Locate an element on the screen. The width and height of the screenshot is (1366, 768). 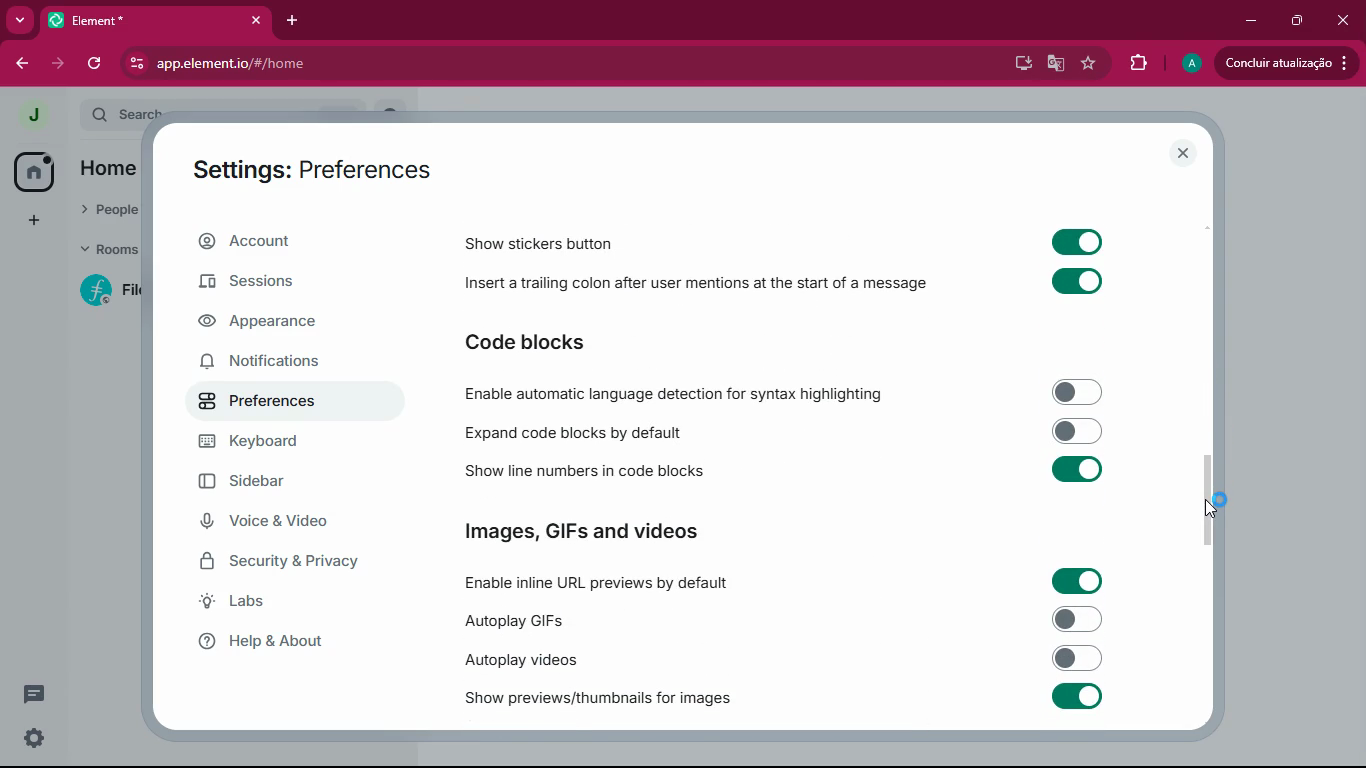
google translate is located at coordinates (1054, 63).